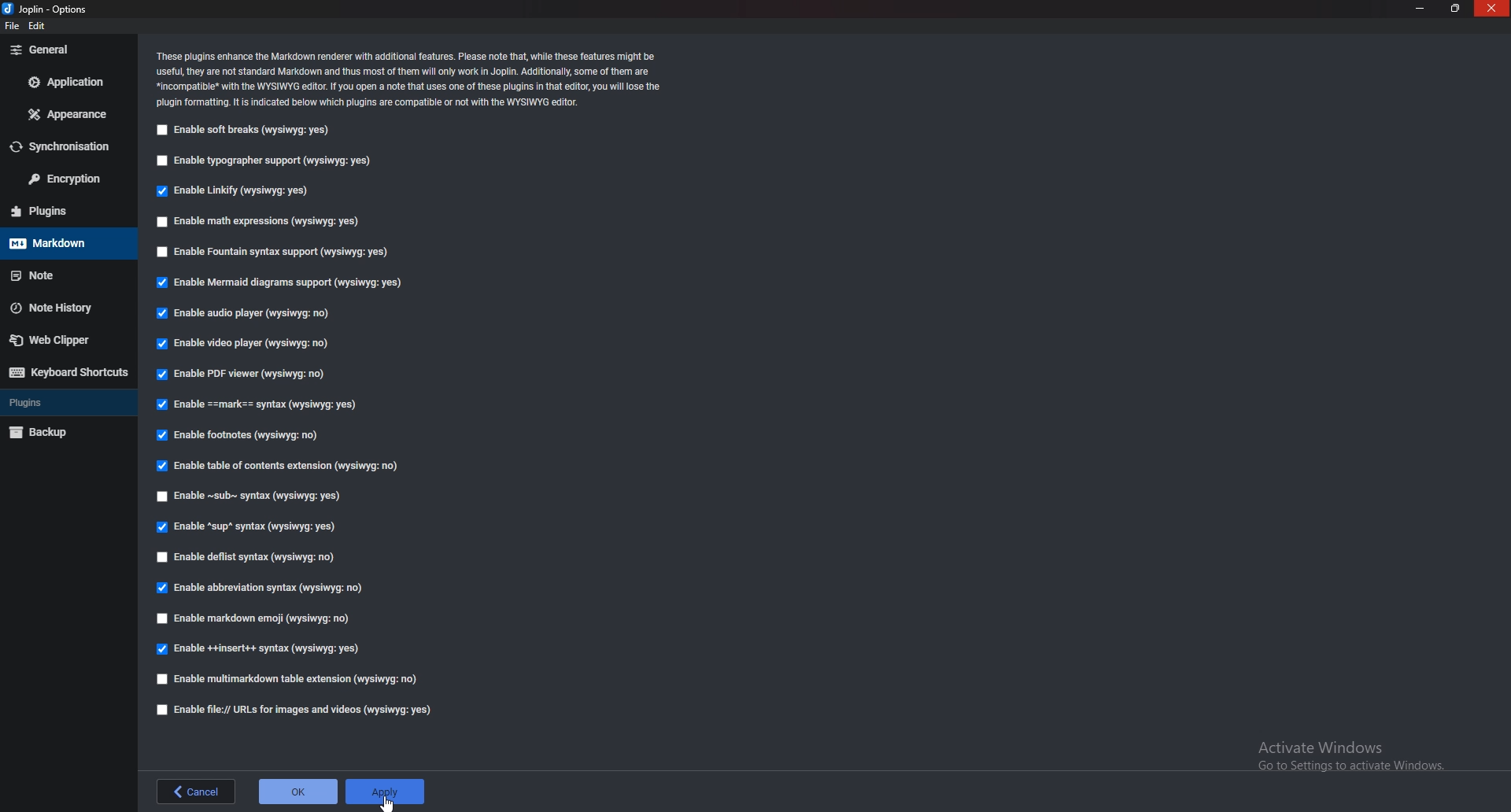 The height and width of the screenshot is (812, 1511). Describe the element at coordinates (1422, 8) in the screenshot. I see `Minimize` at that location.